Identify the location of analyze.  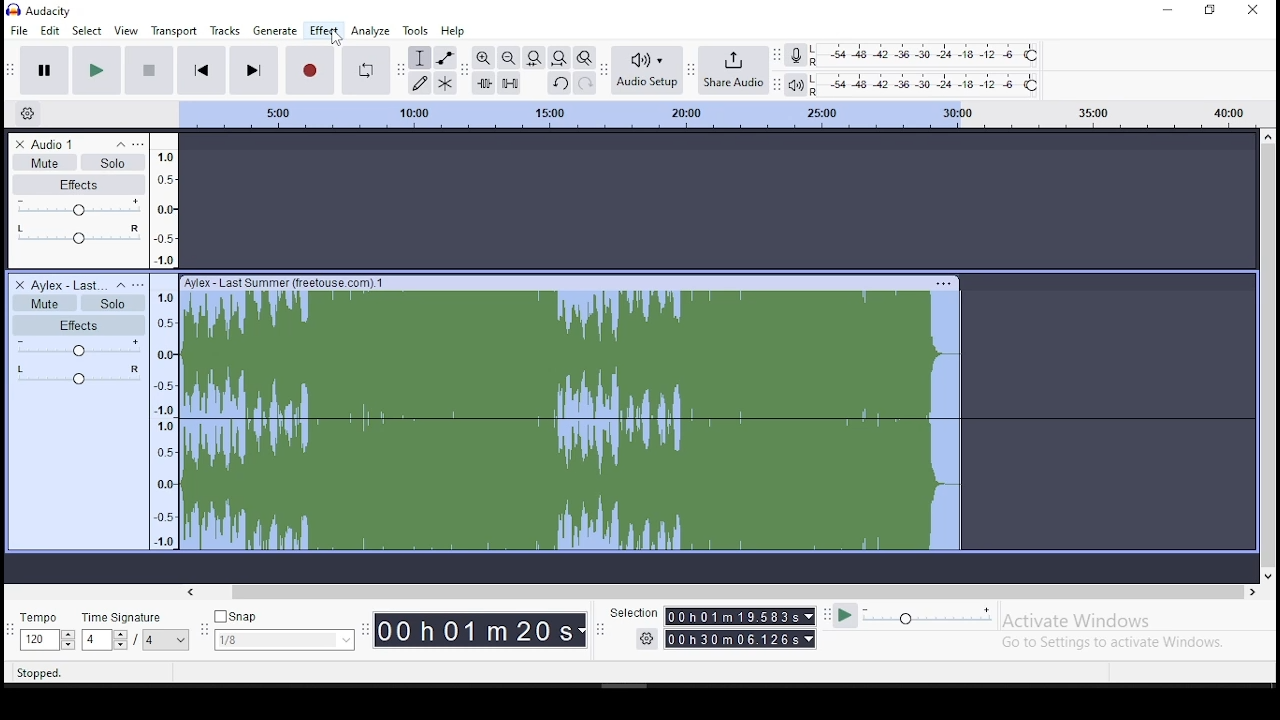
(370, 31).